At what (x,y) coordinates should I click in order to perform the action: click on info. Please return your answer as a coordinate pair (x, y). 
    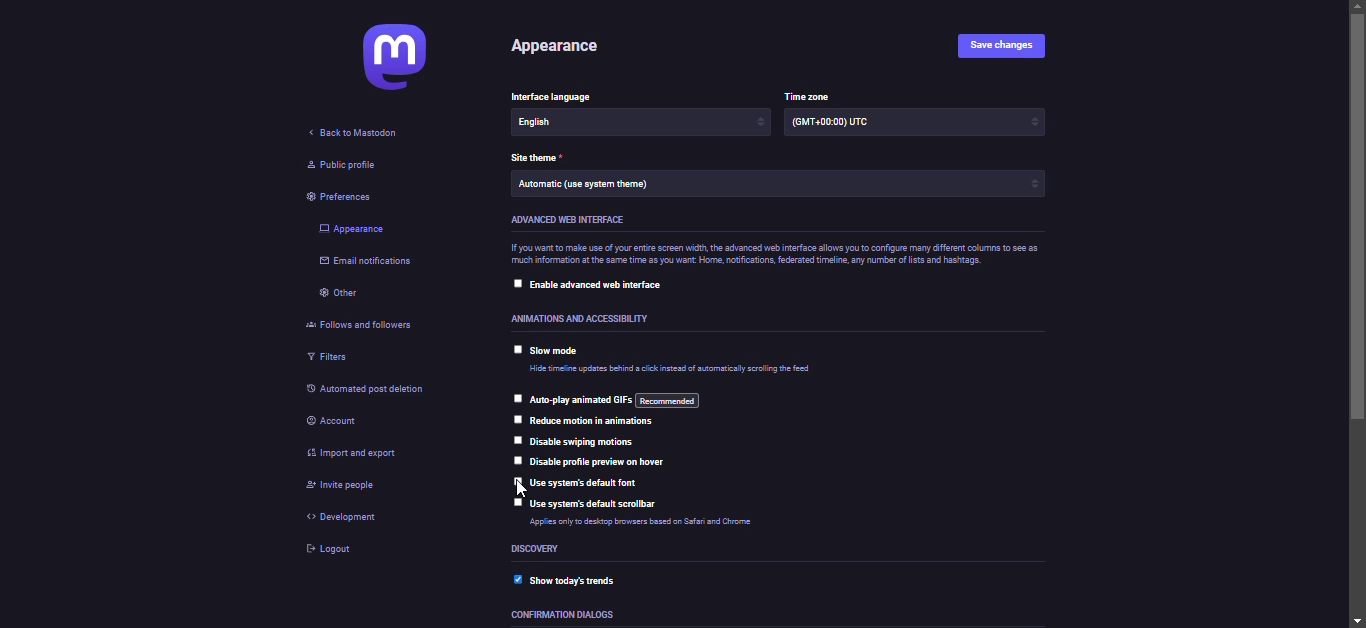
    Looking at the image, I should click on (663, 525).